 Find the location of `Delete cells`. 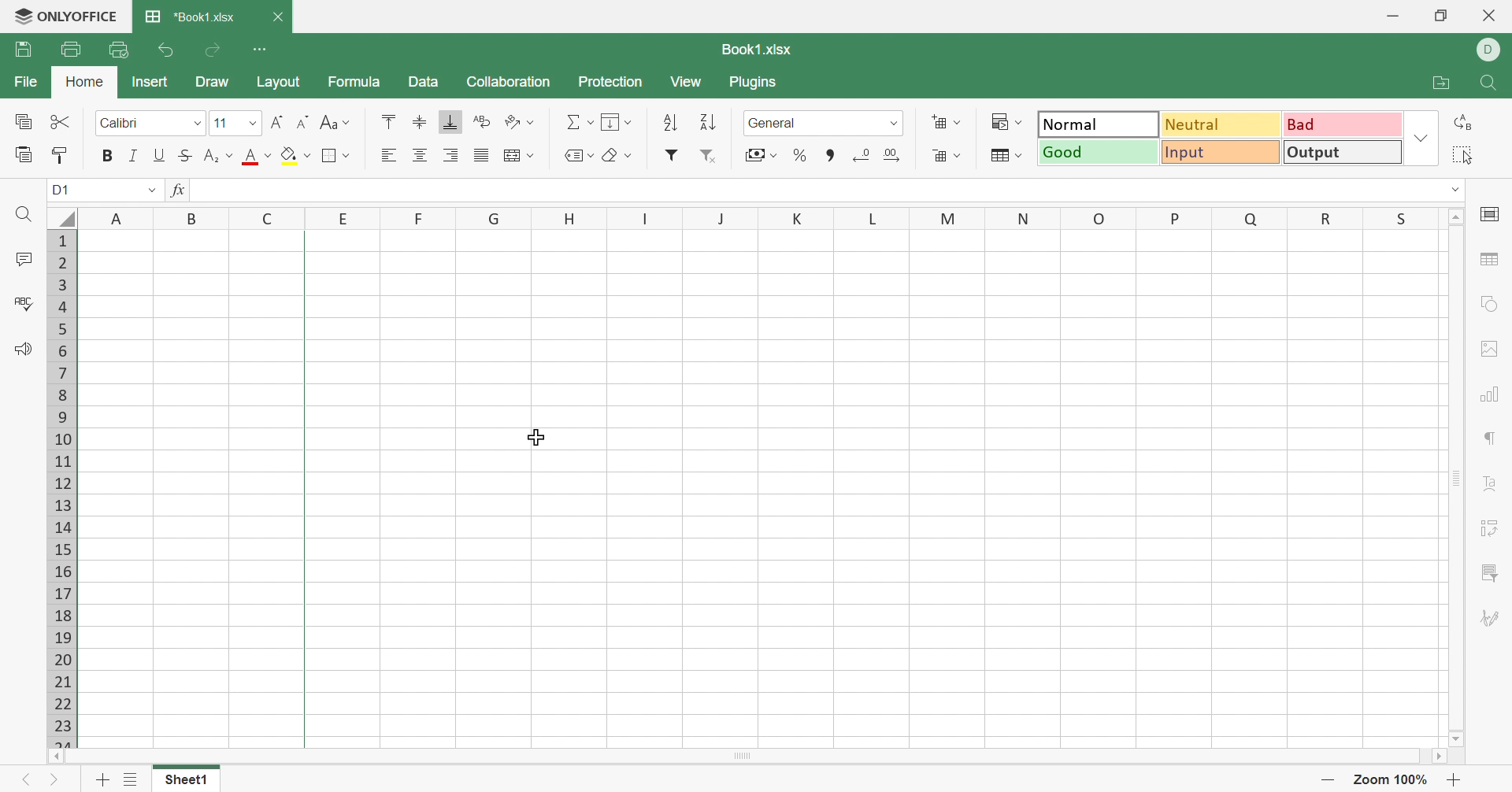

Delete cells is located at coordinates (933, 155).